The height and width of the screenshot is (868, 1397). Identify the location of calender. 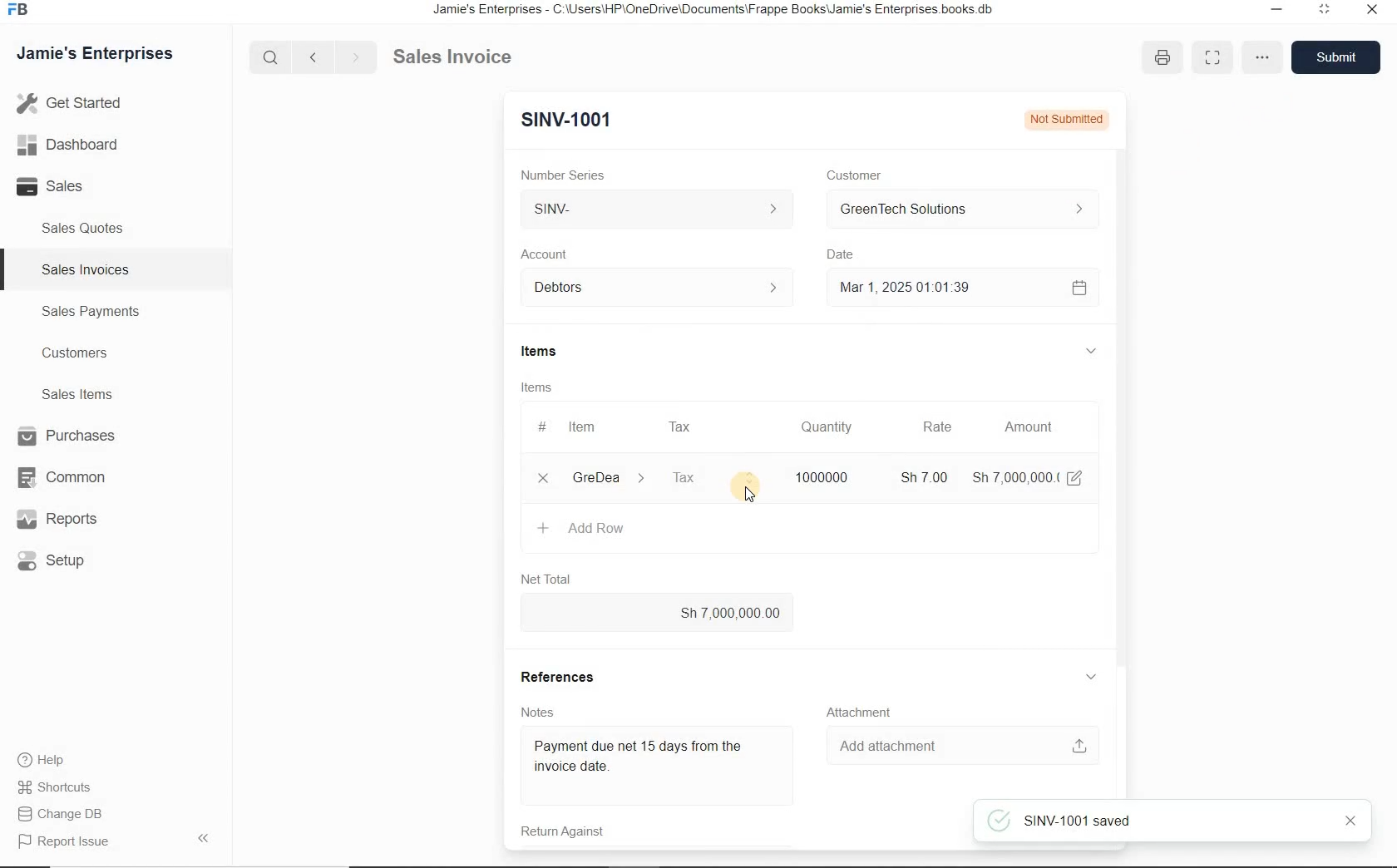
(1078, 287).